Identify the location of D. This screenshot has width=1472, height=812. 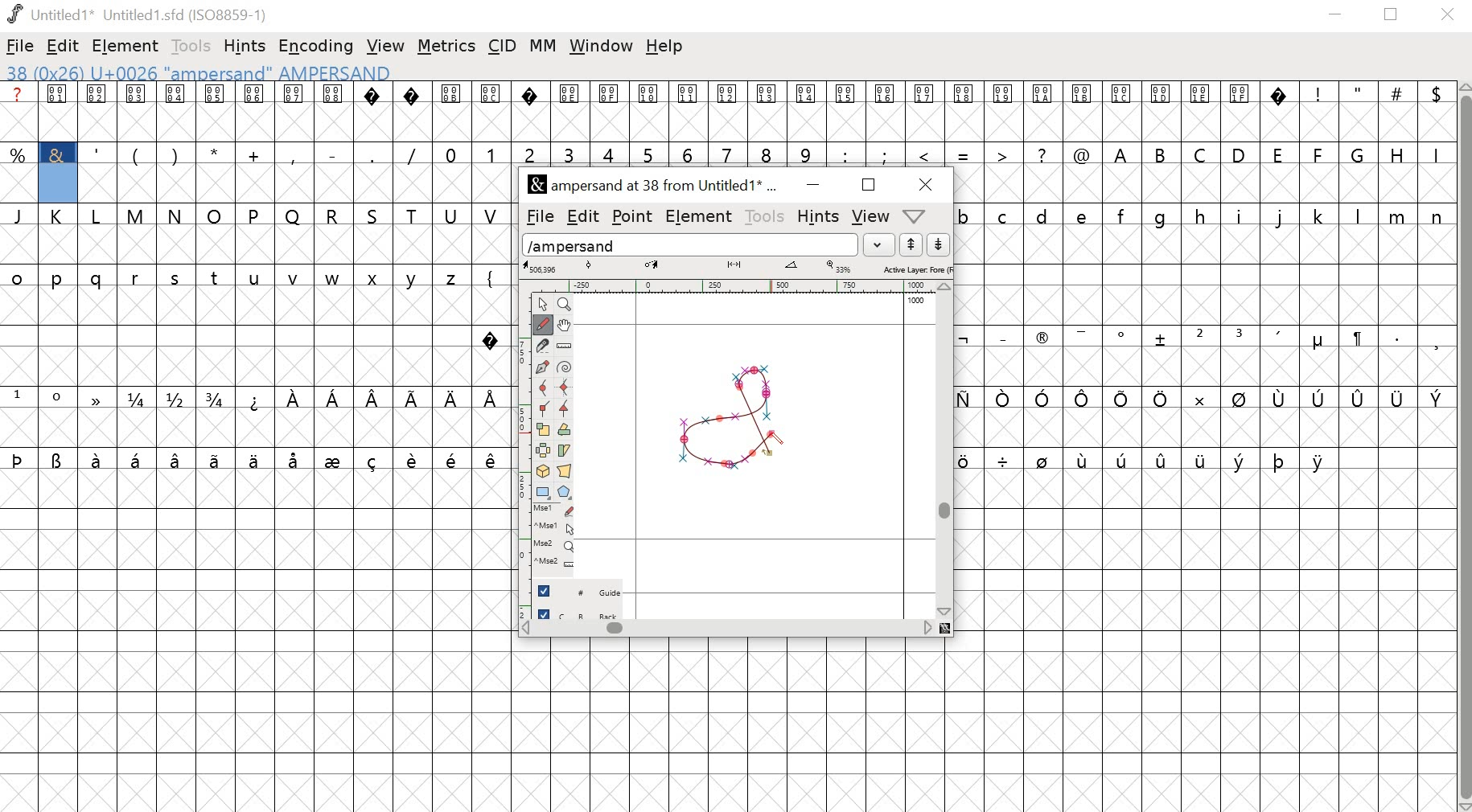
(1240, 154).